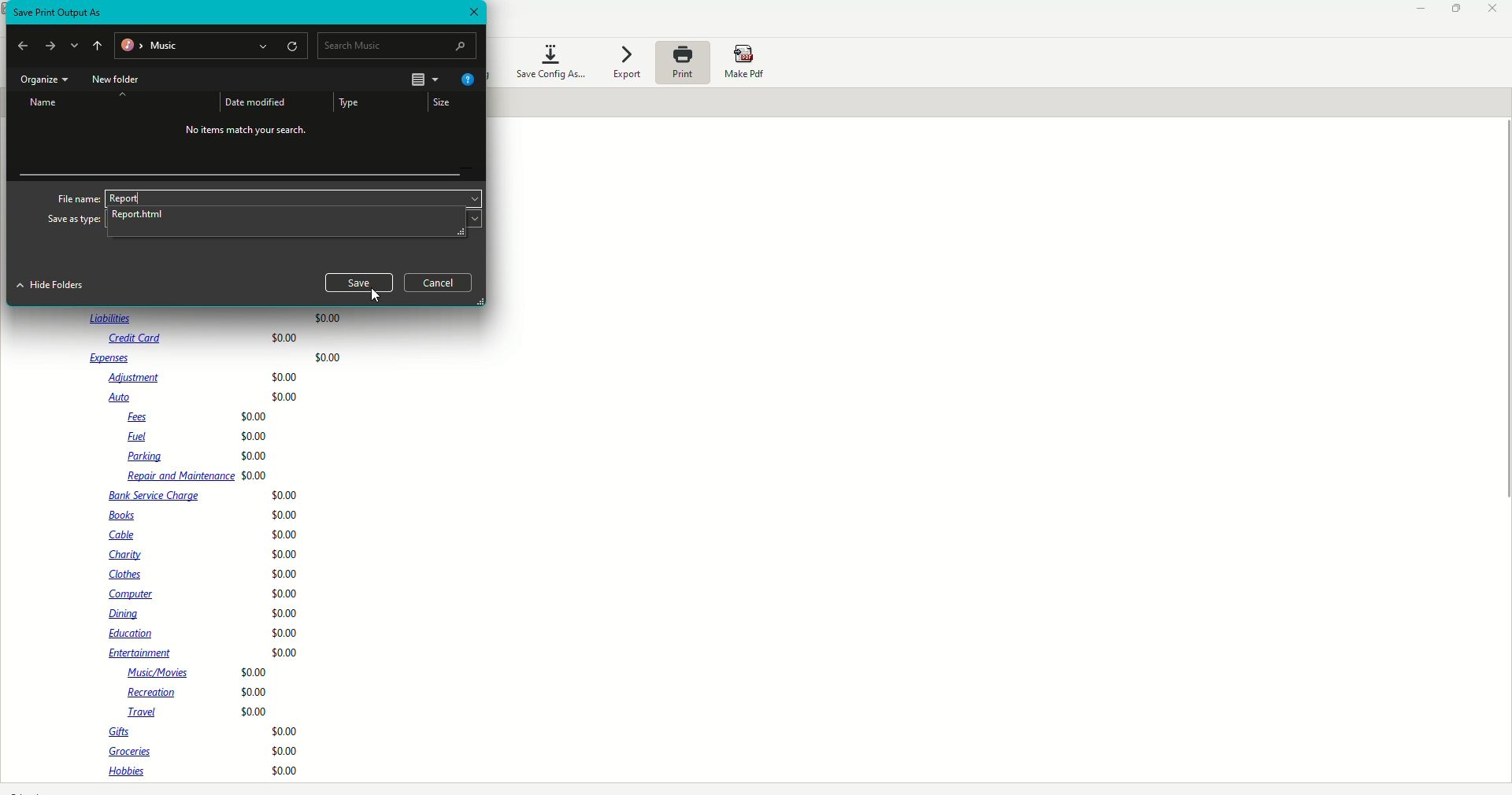 This screenshot has width=1512, height=795. What do you see at coordinates (350, 102) in the screenshot?
I see `Type` at bounding box center [350, 102].